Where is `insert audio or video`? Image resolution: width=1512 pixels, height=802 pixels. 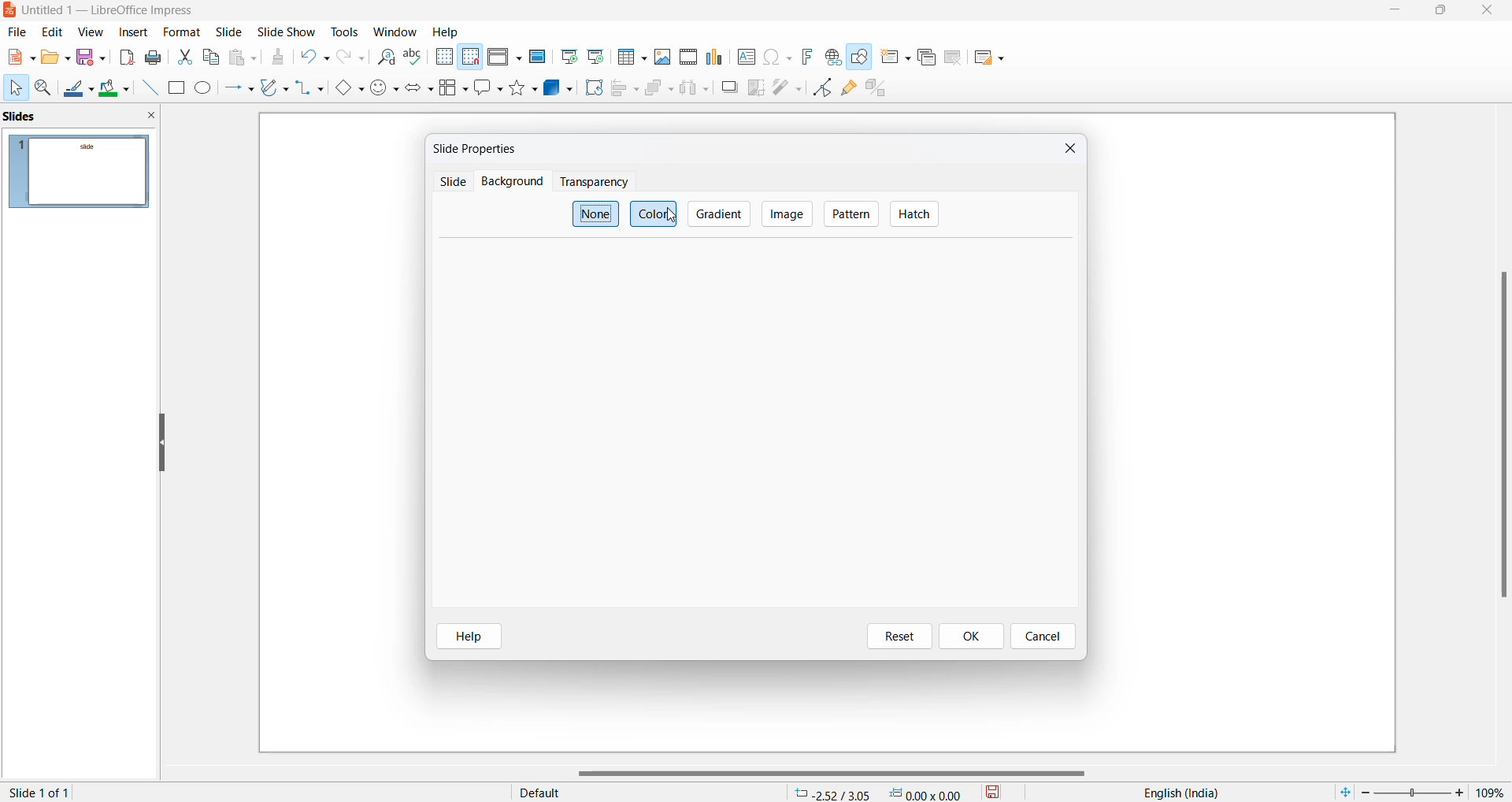 insert audio or video is located at coordinates (687, 58).